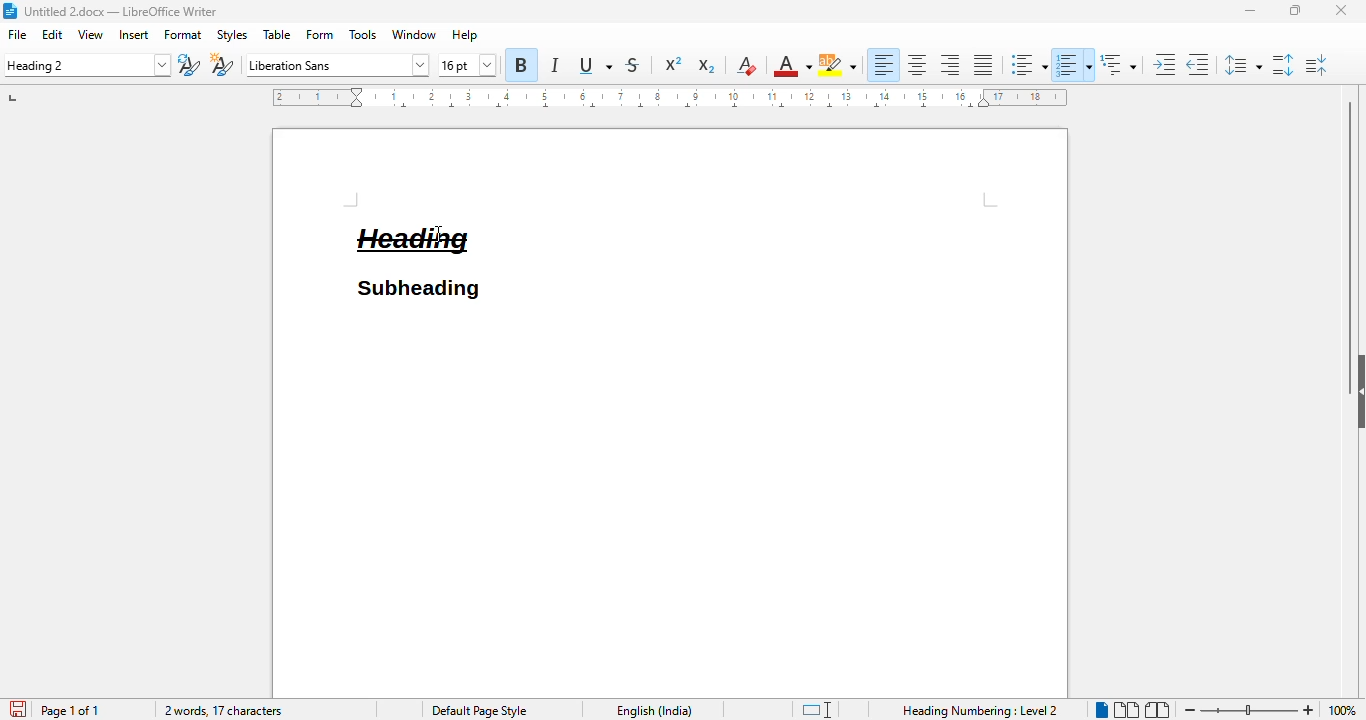 This screenshot has height=720, width=1366. I want to click on page 1 of 1, so click(69, 710).